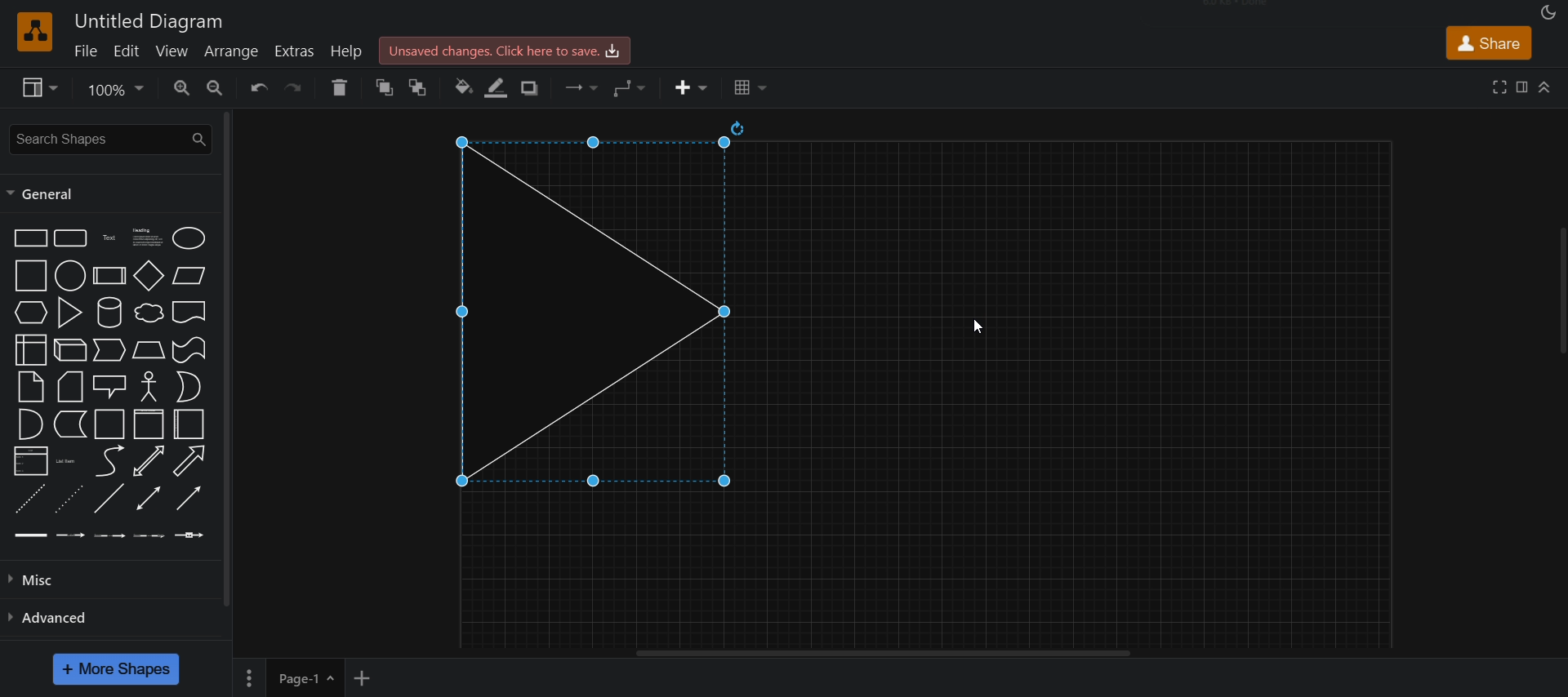 The image size is (1568, 697). I want to click on list item, so click(66, 461).